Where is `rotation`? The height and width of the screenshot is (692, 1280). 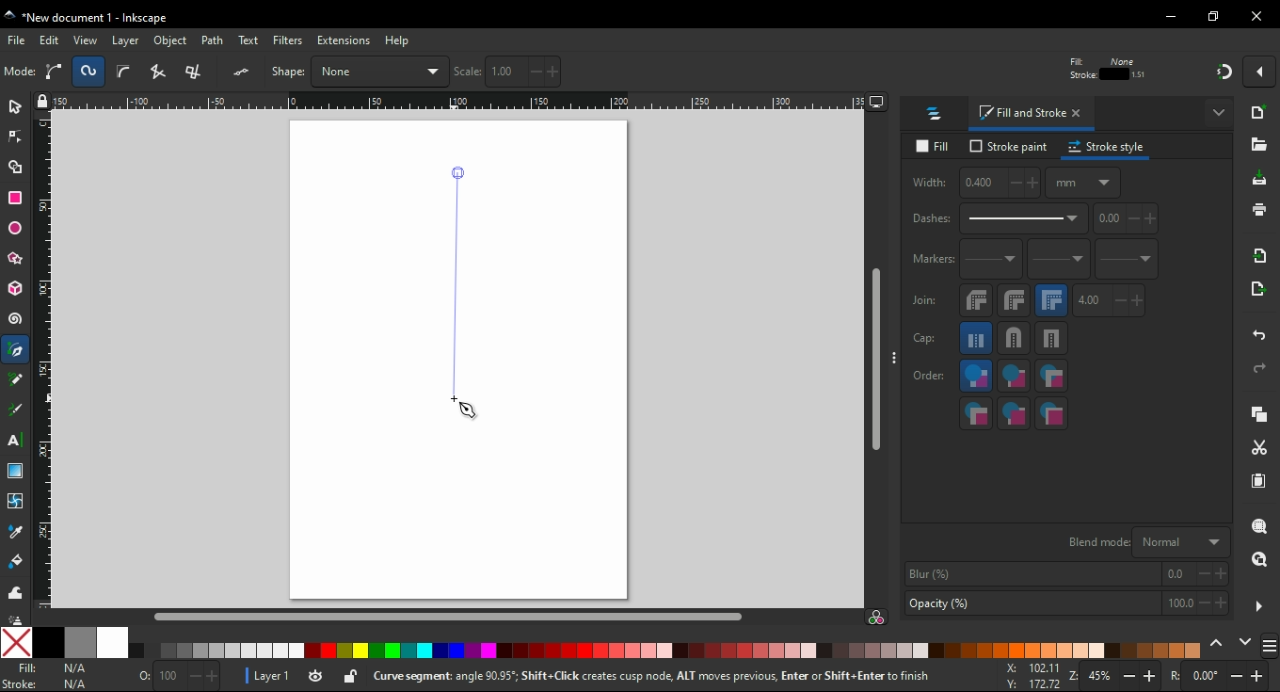 rotation is located at coordinates (1218, 677).